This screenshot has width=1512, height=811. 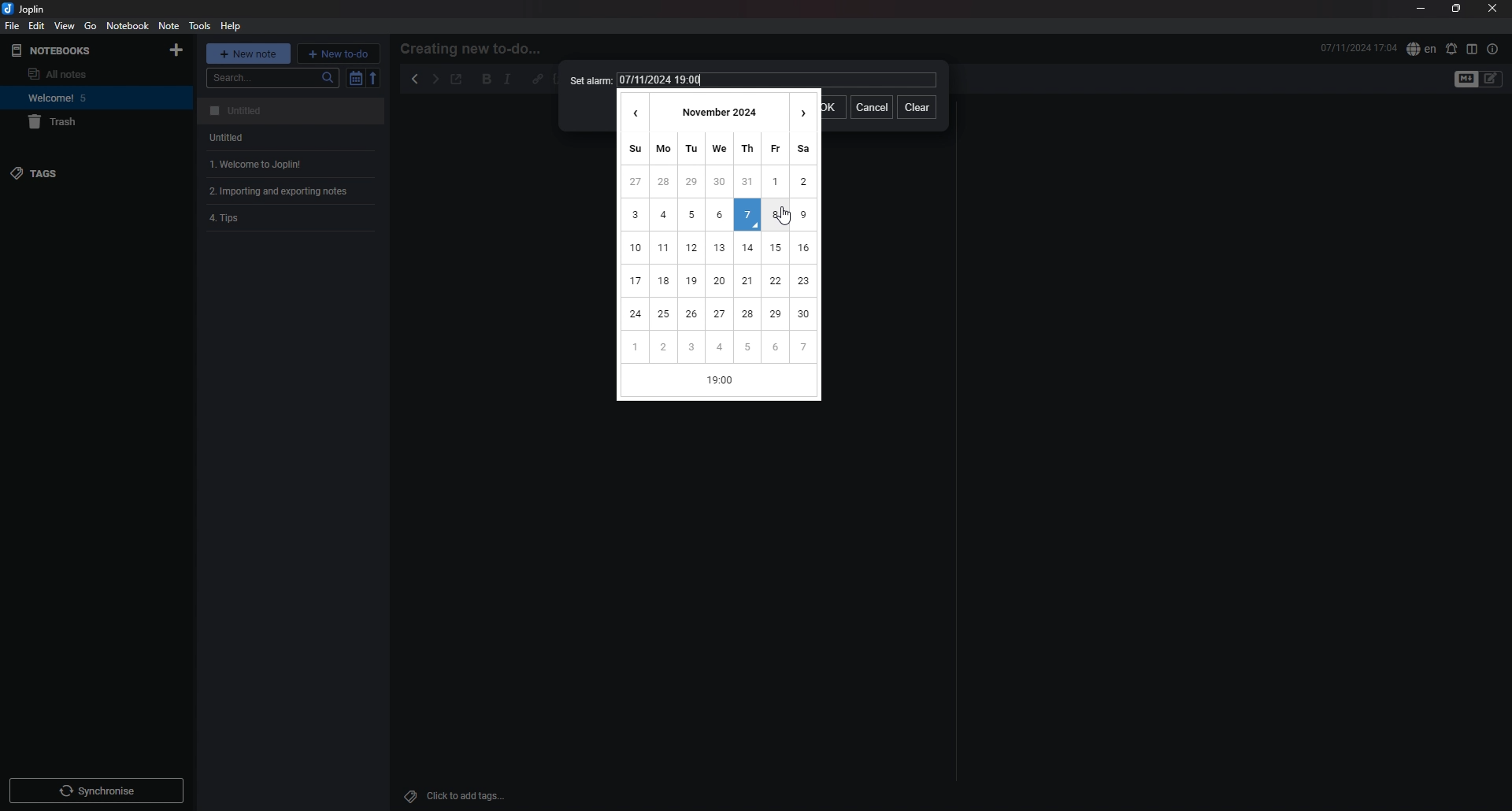 I want to click on search bar, so click(x=272, y=78).